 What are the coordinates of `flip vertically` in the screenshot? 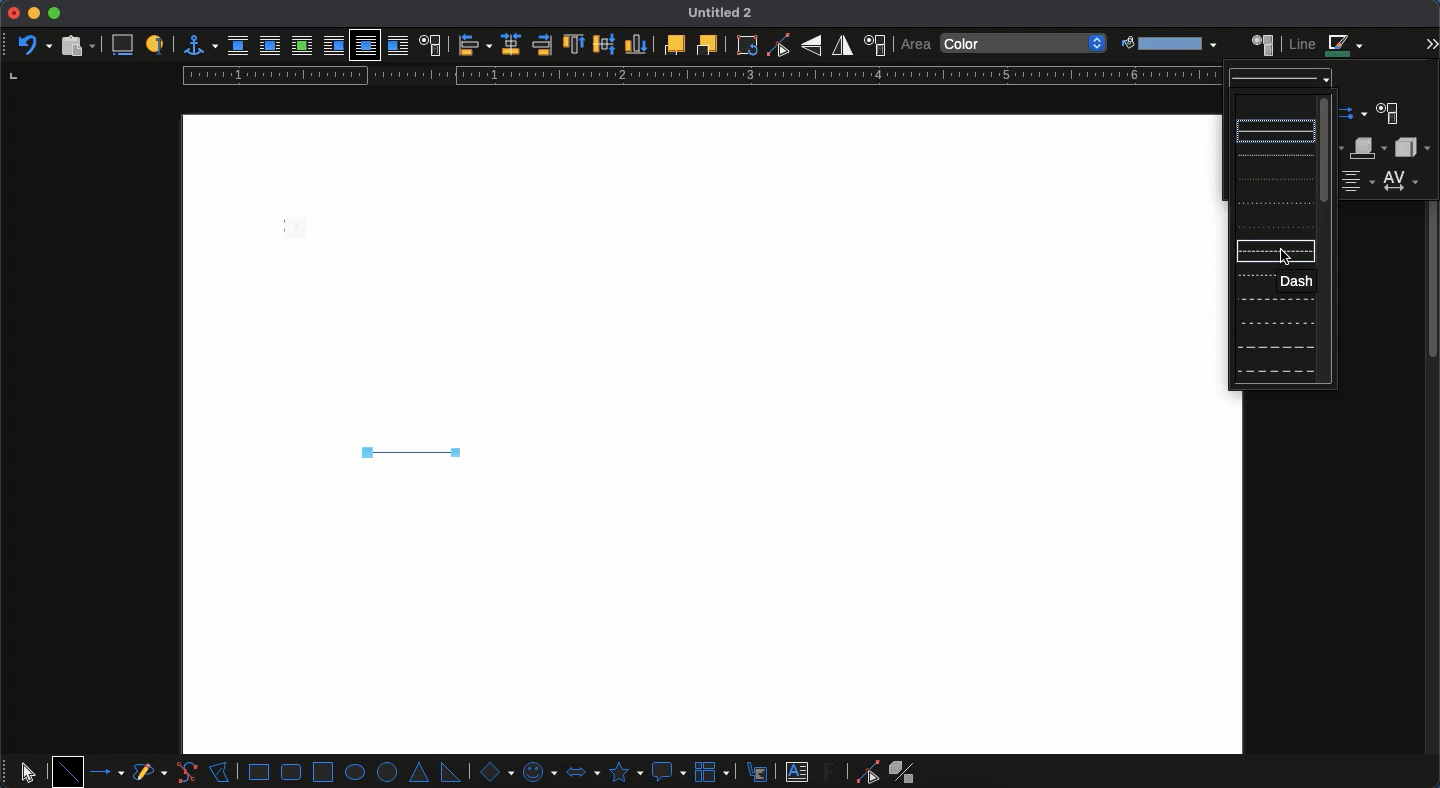 It's located at (811, 45).